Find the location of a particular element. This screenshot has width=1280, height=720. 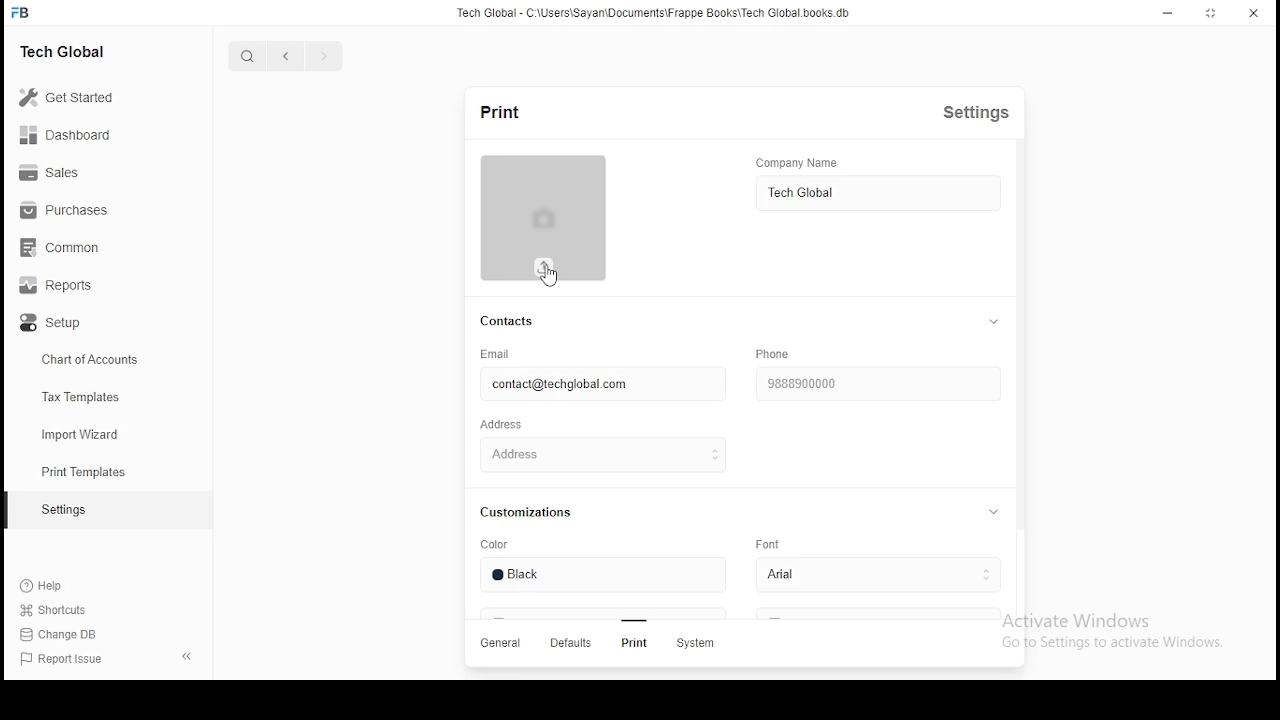

go back  is located at coordinates (287, 57).